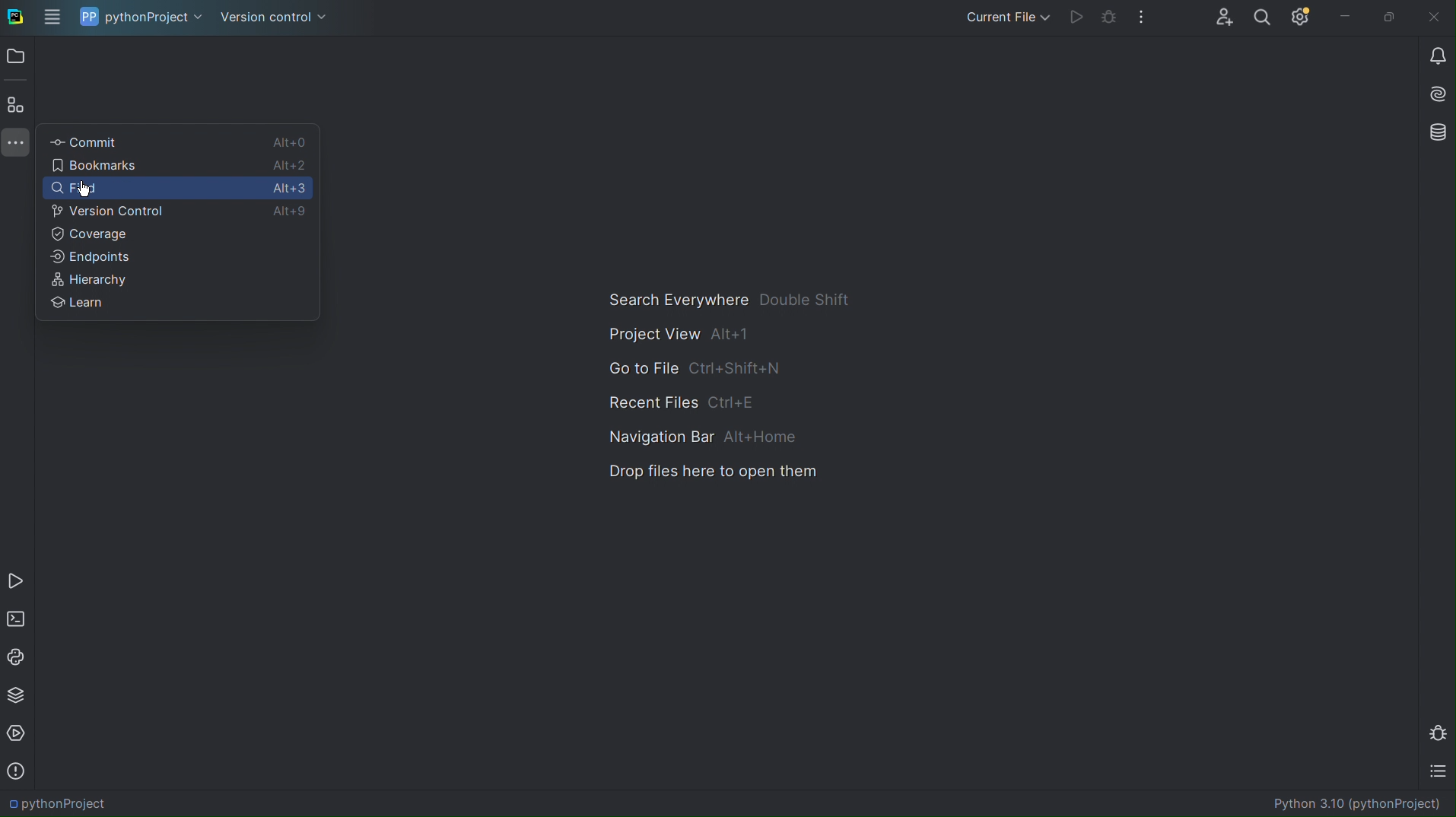 The height and width of the screenshot is (817, 1456). Describe the element at coordinates (291, 140) in the screenshot. I see `Alt+0` at that location.